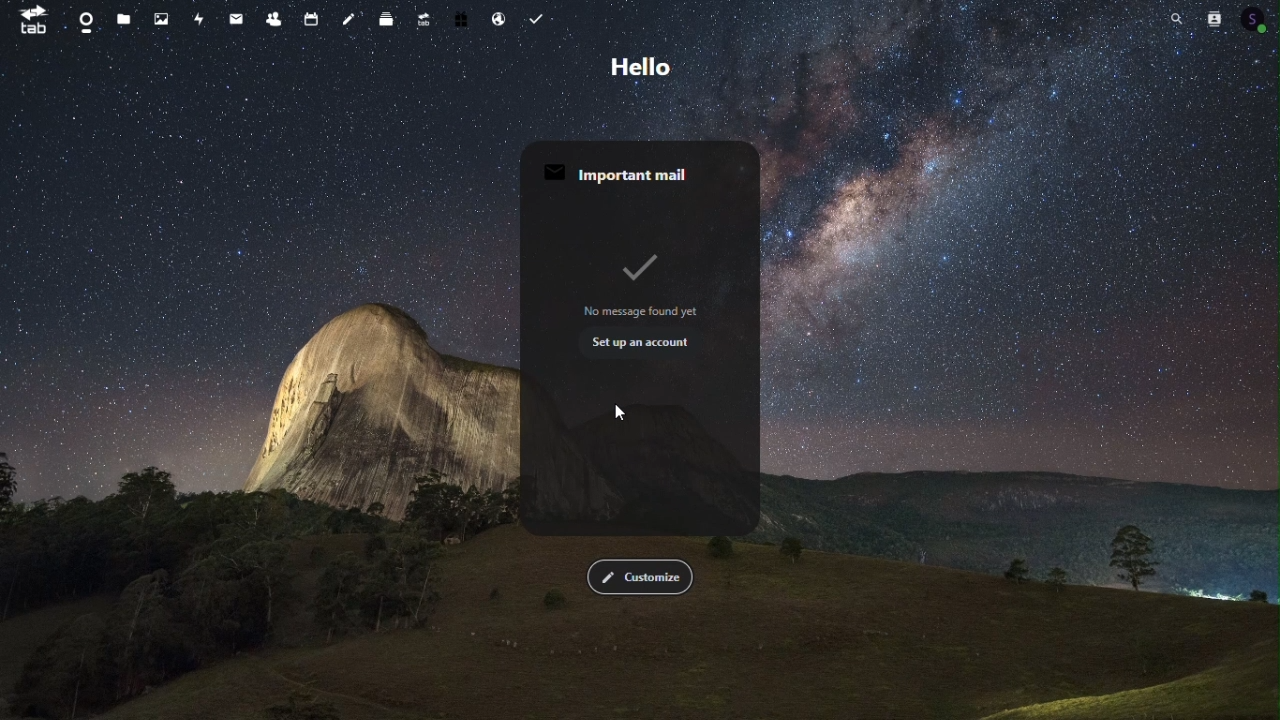 The width and height of the screenshot is (1280, 720). I want to click on Email hosting, so click(495, 18).